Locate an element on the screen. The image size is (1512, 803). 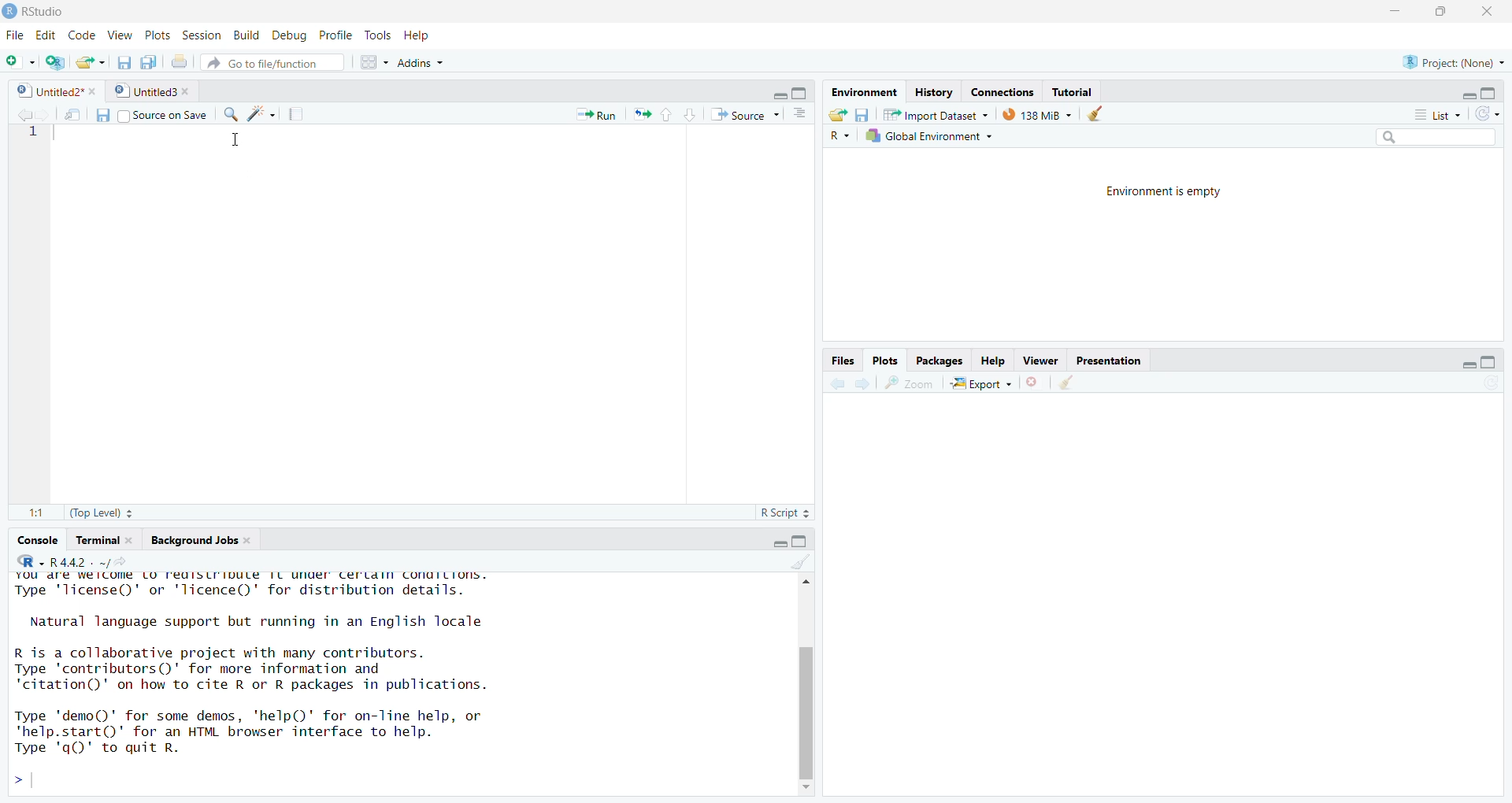
Connections is located at coordinates (999, 92).